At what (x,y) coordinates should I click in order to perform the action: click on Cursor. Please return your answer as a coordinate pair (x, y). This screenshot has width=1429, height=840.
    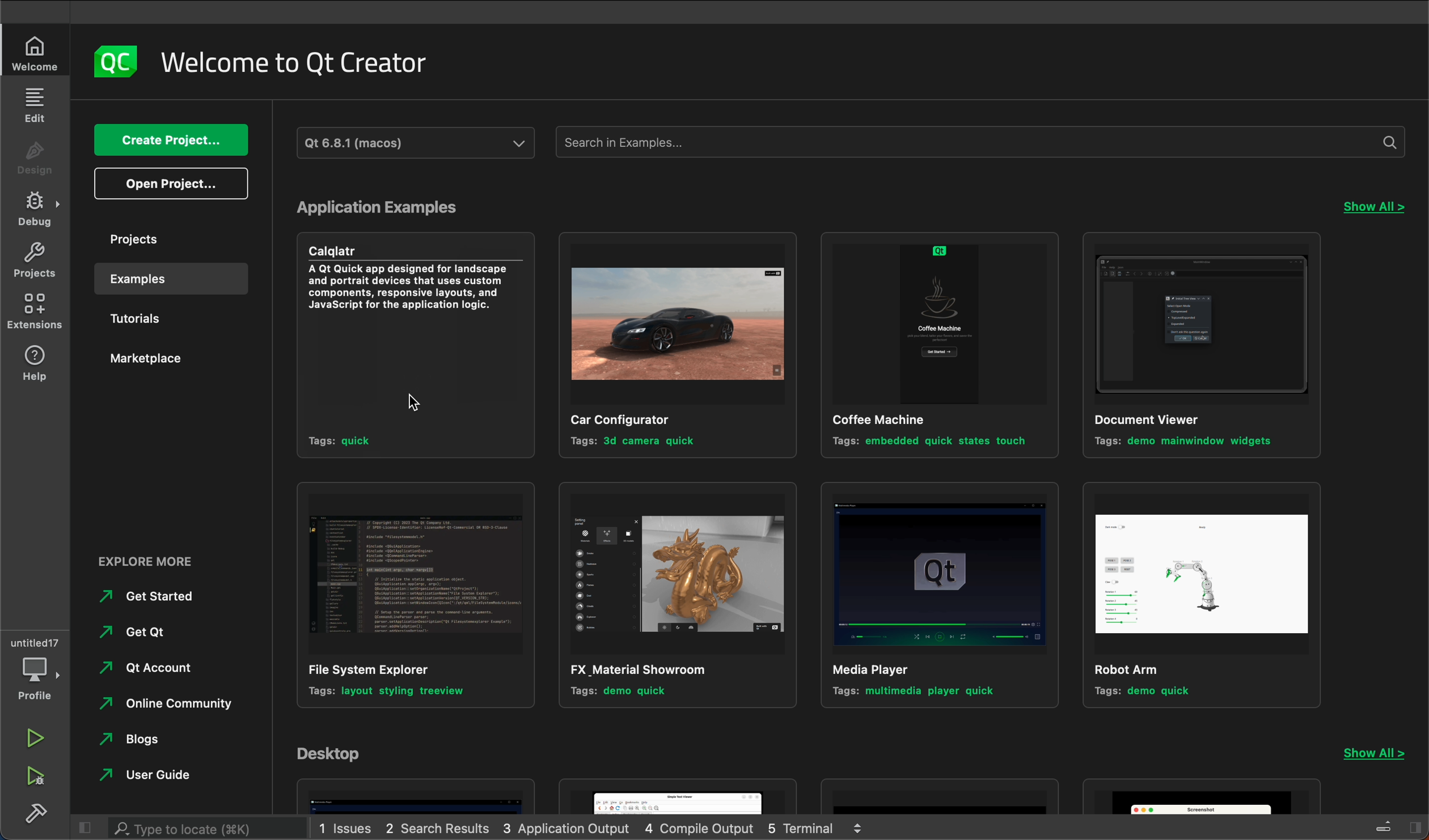
    Looking at the image, I should click on (423, 407).